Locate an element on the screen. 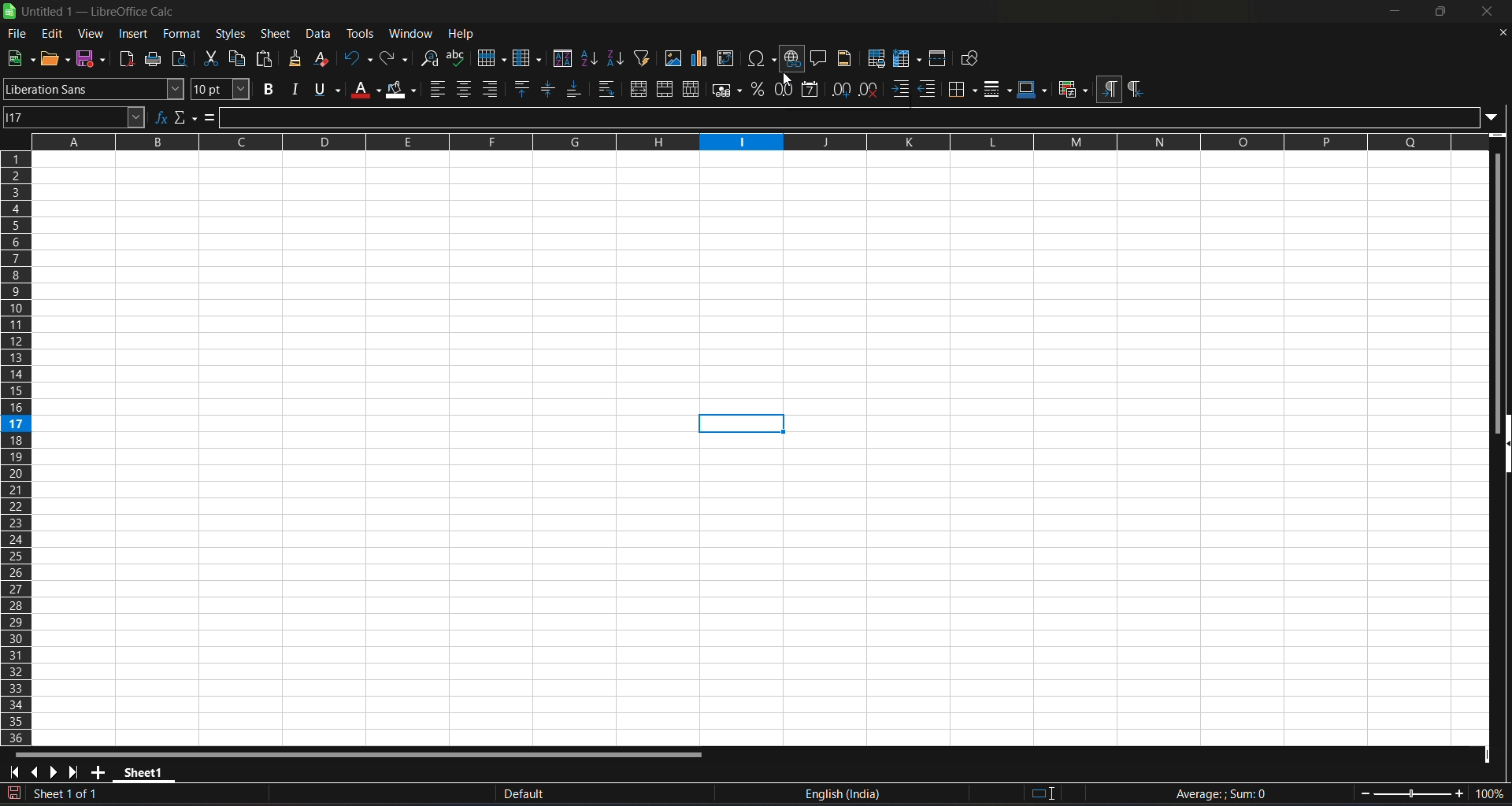 The image size is (1512, 806). horizontal scroll bar is located at coordinates (370, 753).